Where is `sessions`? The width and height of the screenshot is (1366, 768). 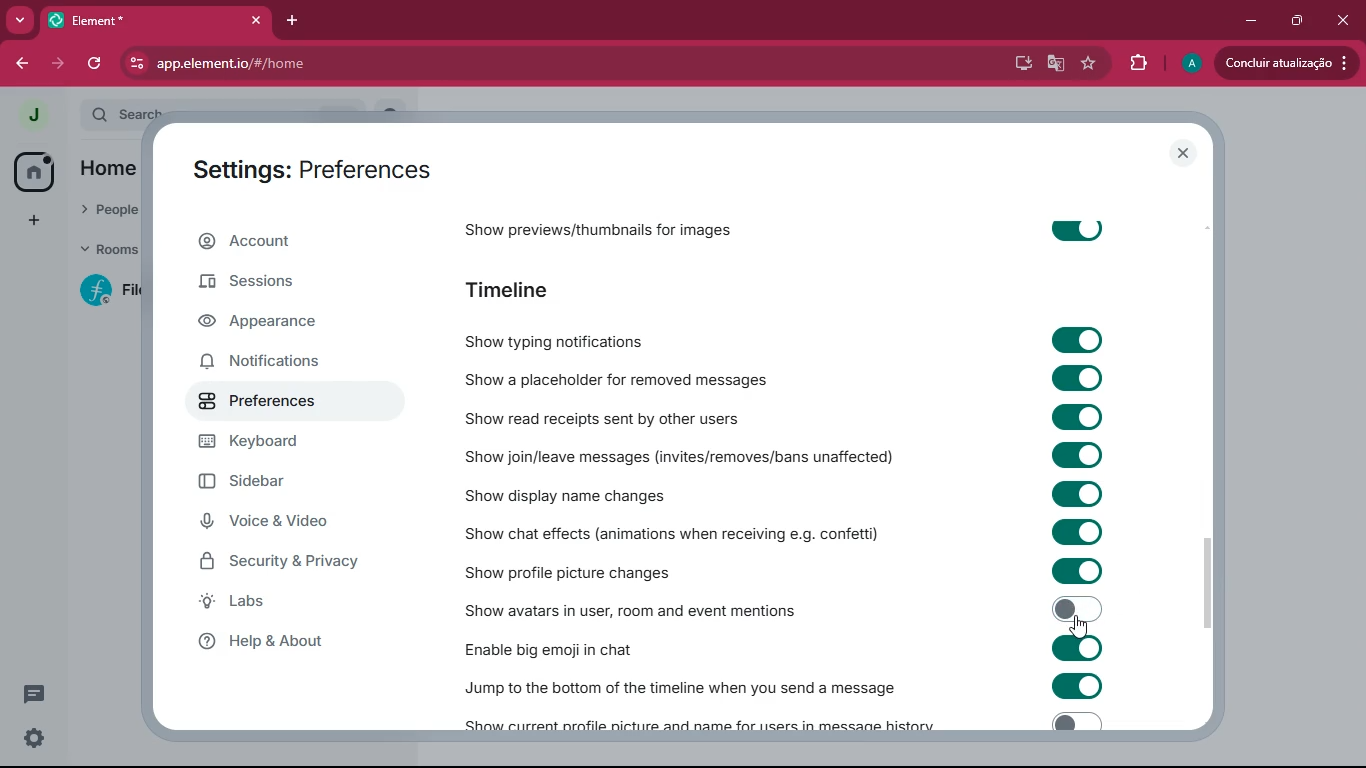 sessions is located at coordinates (300, 287).